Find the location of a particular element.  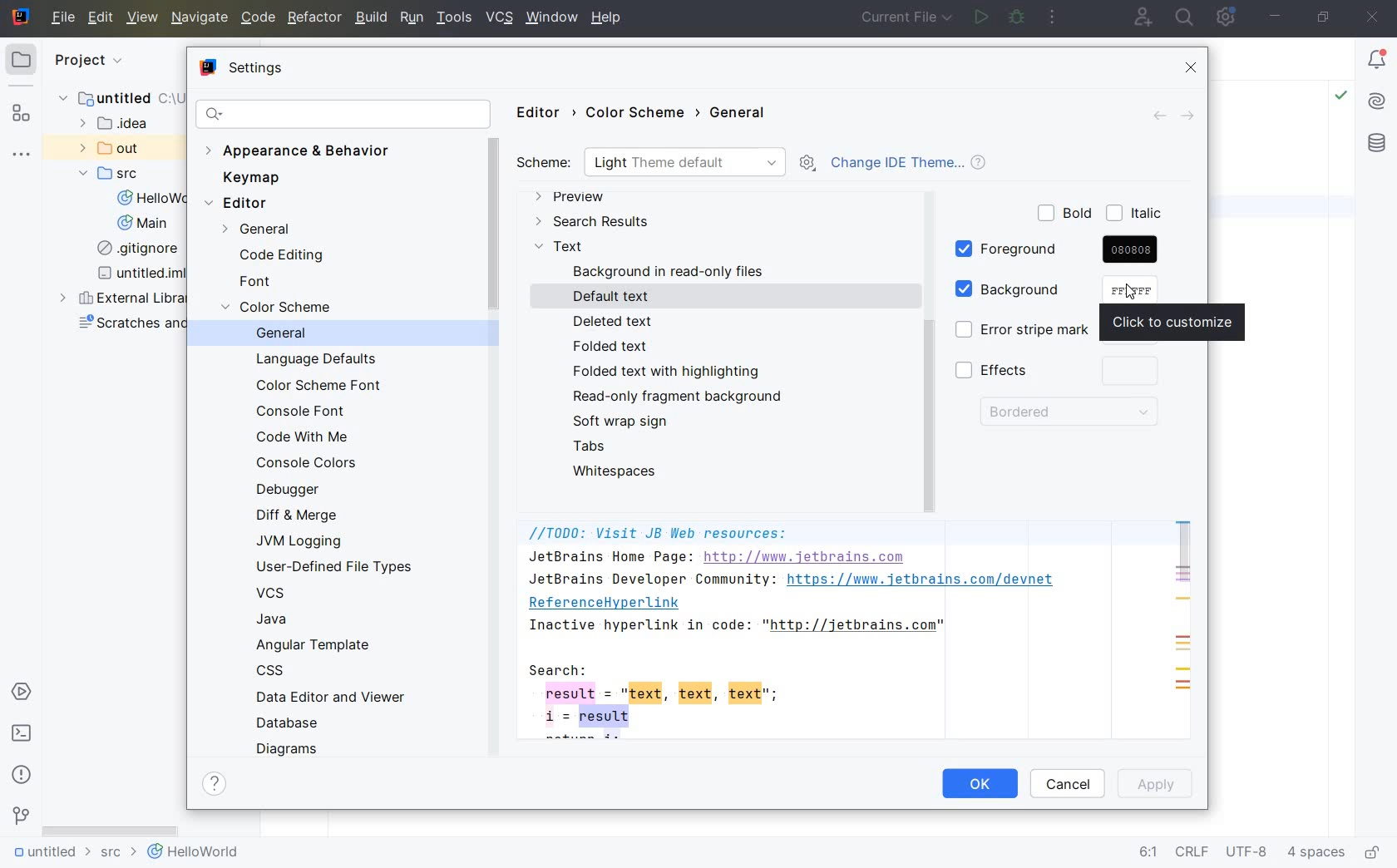

DATABASE is located at coordinates (293, 723).